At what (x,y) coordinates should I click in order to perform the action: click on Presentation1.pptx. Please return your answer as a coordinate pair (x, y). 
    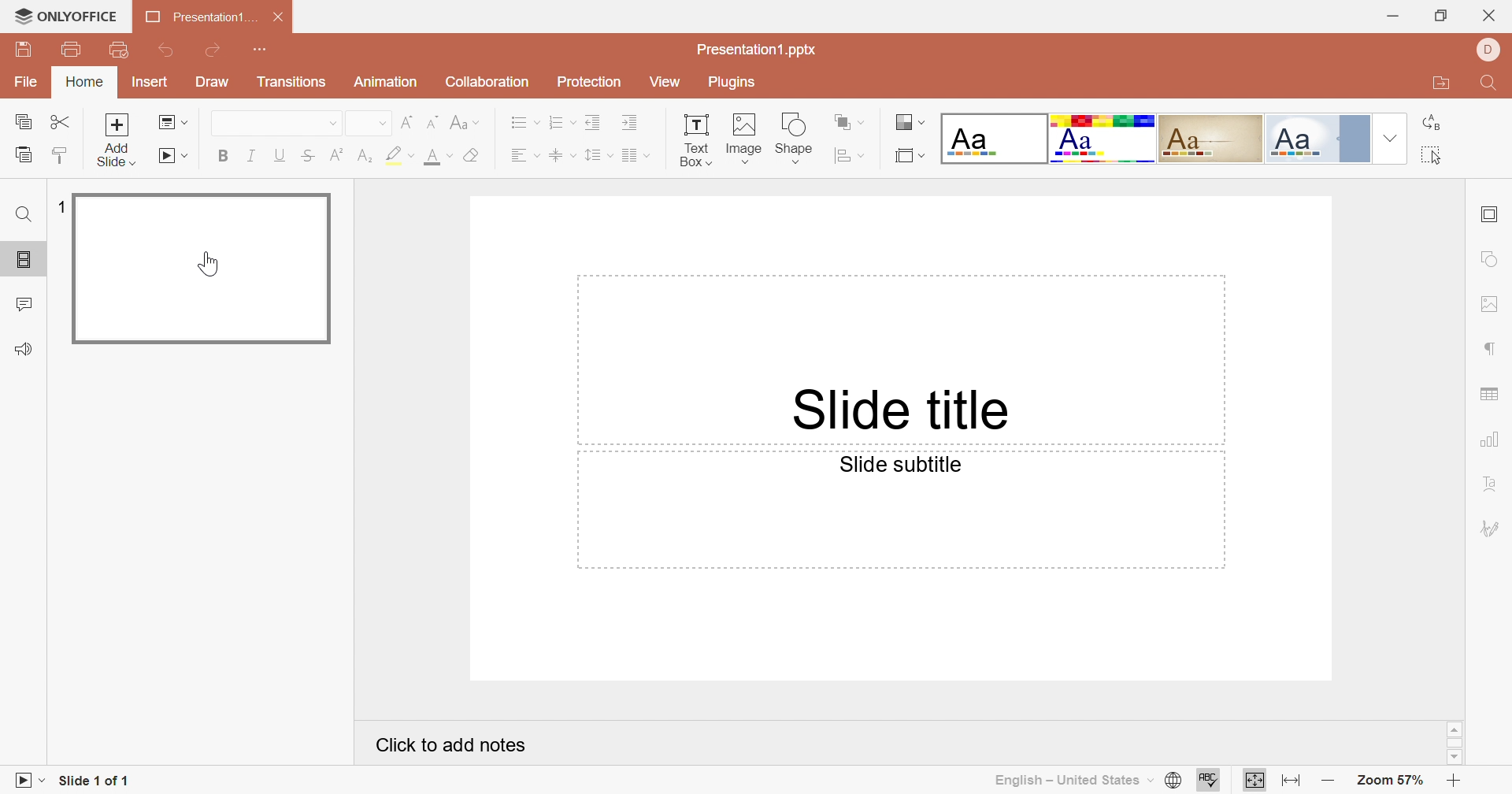
    Looking at the image, I should click on (758, 50).